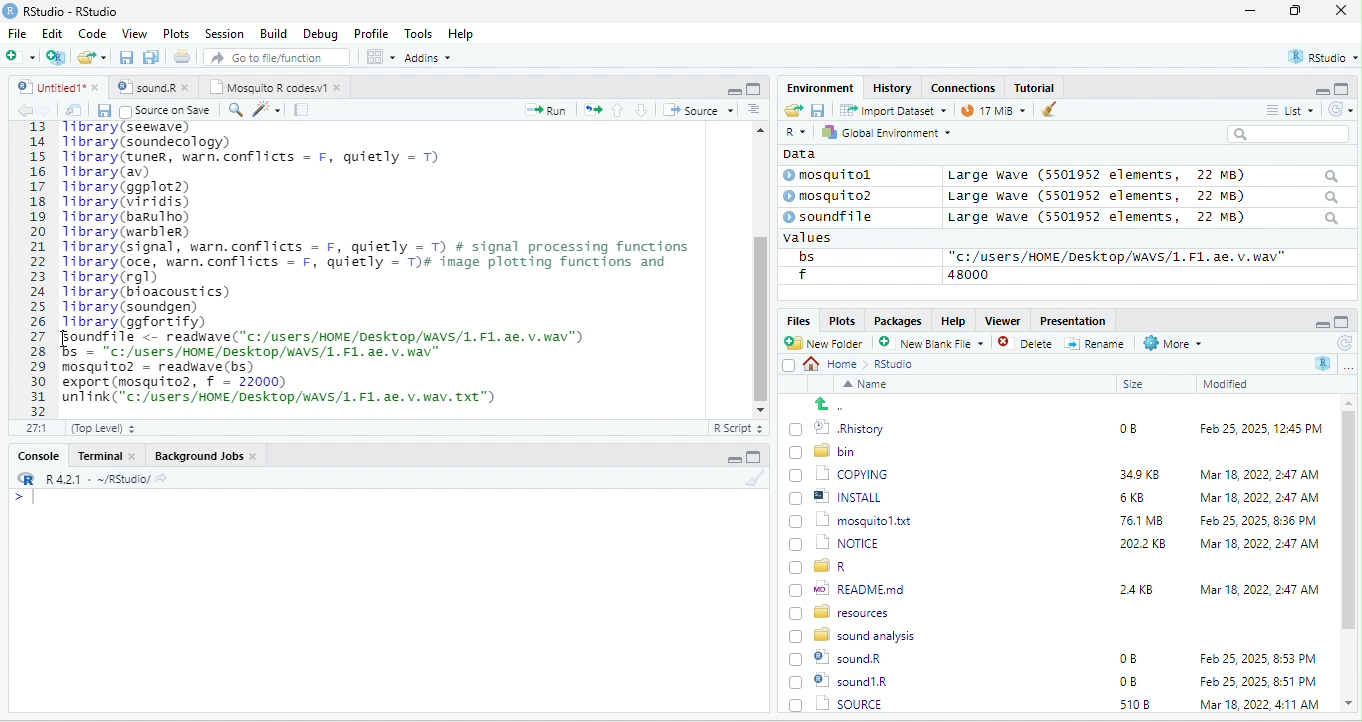 This screenshot has height=722, width=1362. What do you see at coordinates (54, 87) in the screenshot?
I see `© Untitied1* »` at bounding box center [54, 87].